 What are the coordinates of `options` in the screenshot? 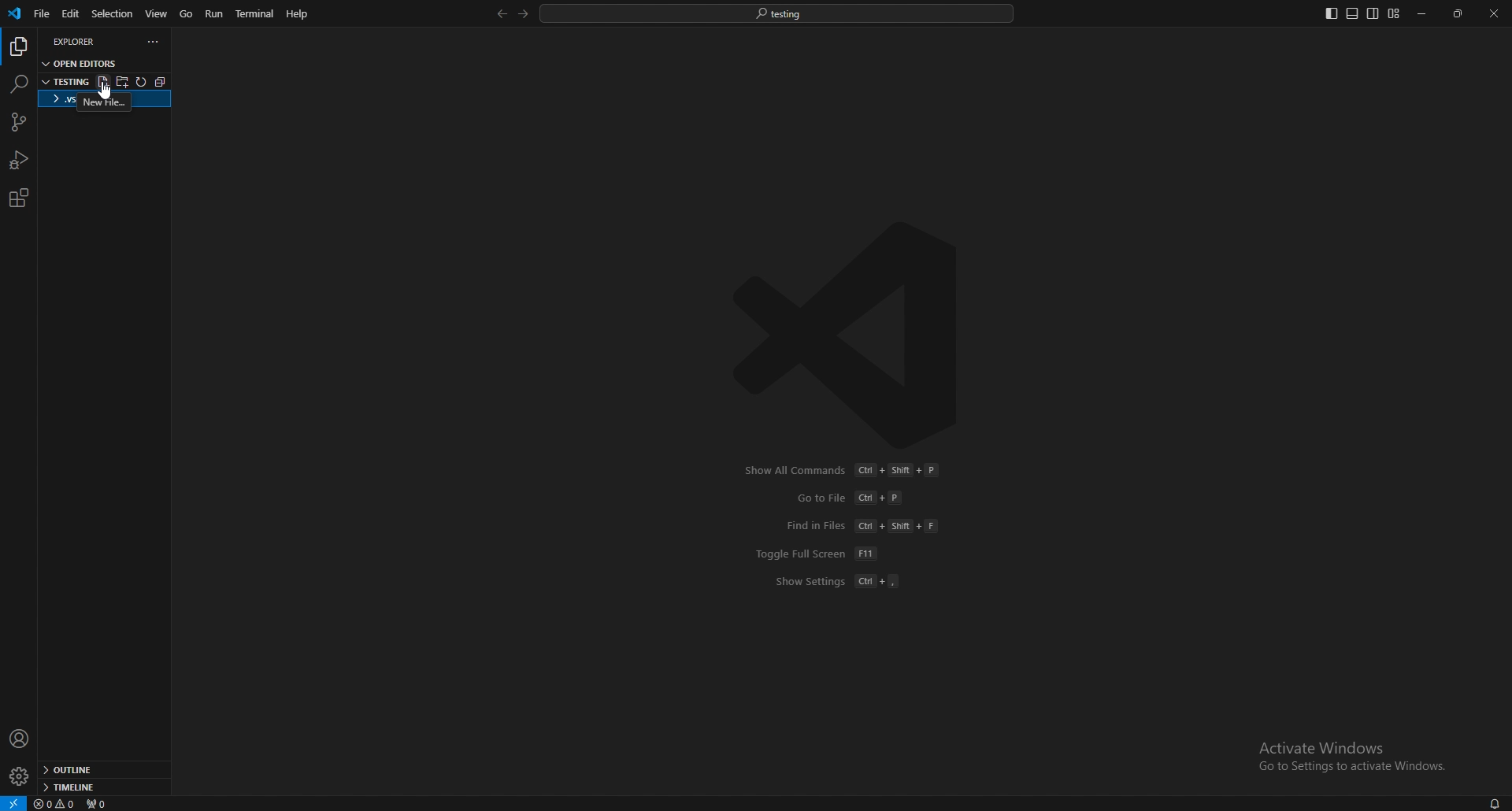 It's located at (154, 42).